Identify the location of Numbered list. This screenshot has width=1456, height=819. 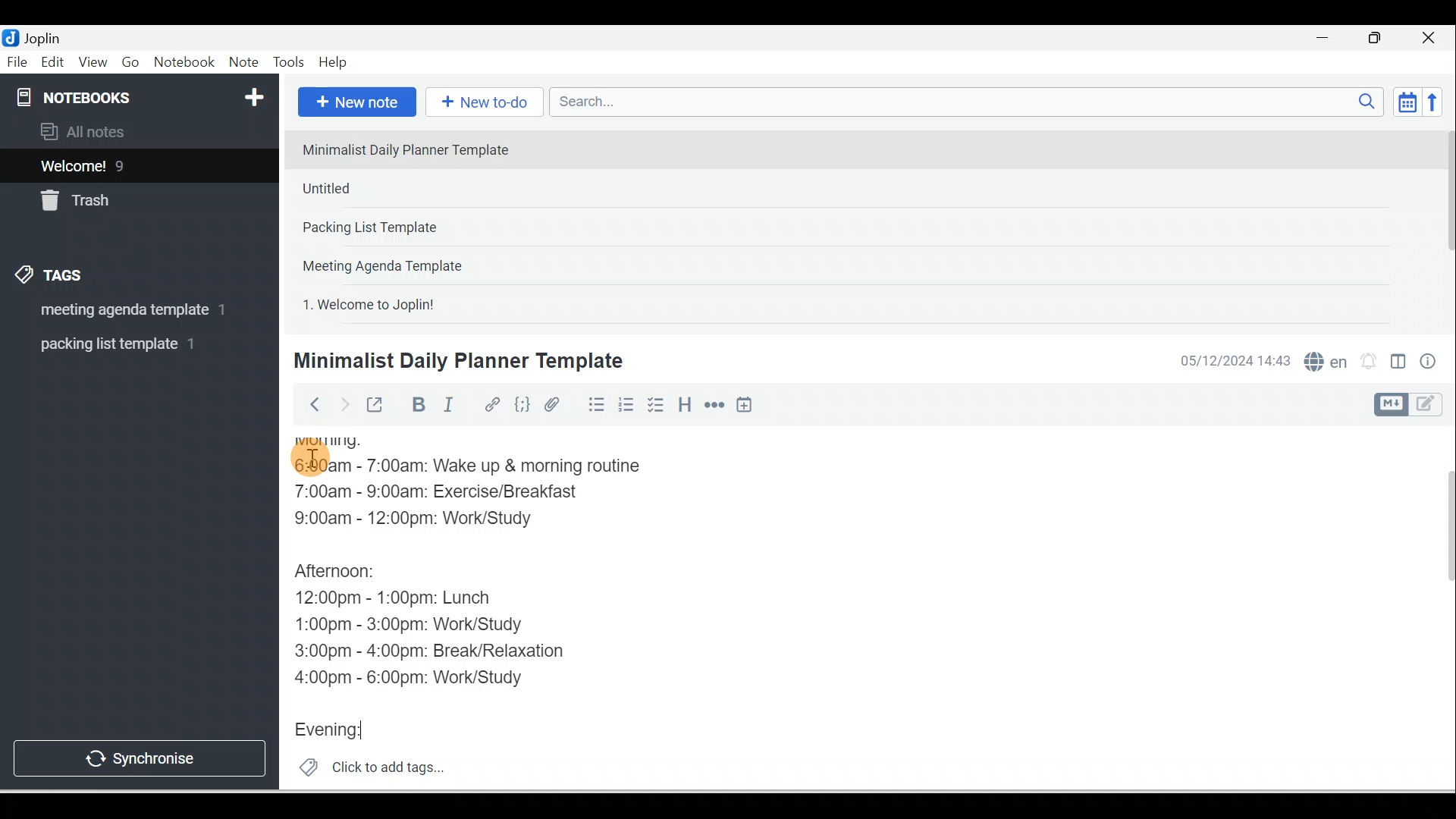
(626, 404).